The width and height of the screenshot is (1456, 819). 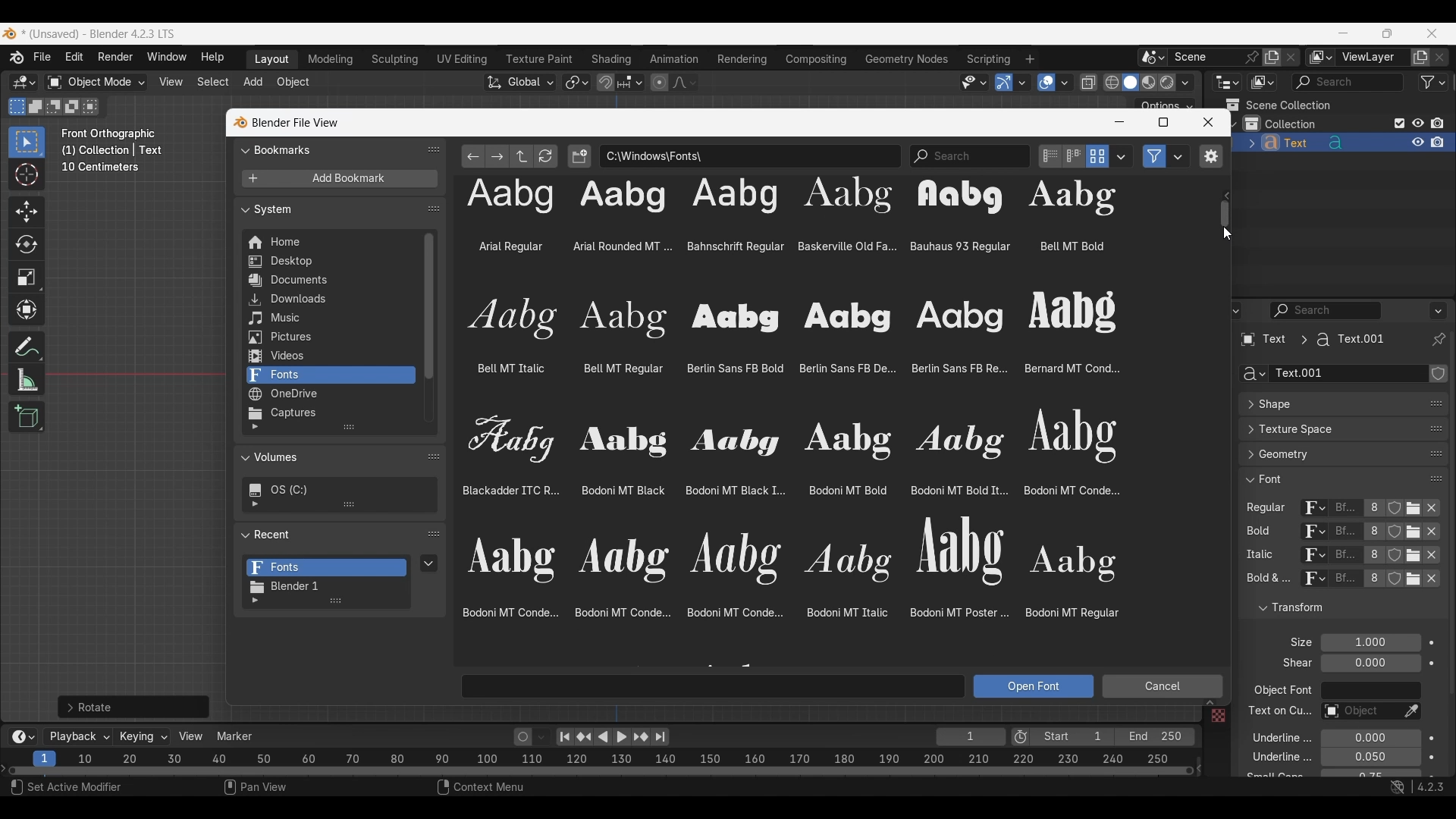 What do you see at coordinates (328, 318) in the screenshot?
I see `Music folder` at bounding box center [328, 318].